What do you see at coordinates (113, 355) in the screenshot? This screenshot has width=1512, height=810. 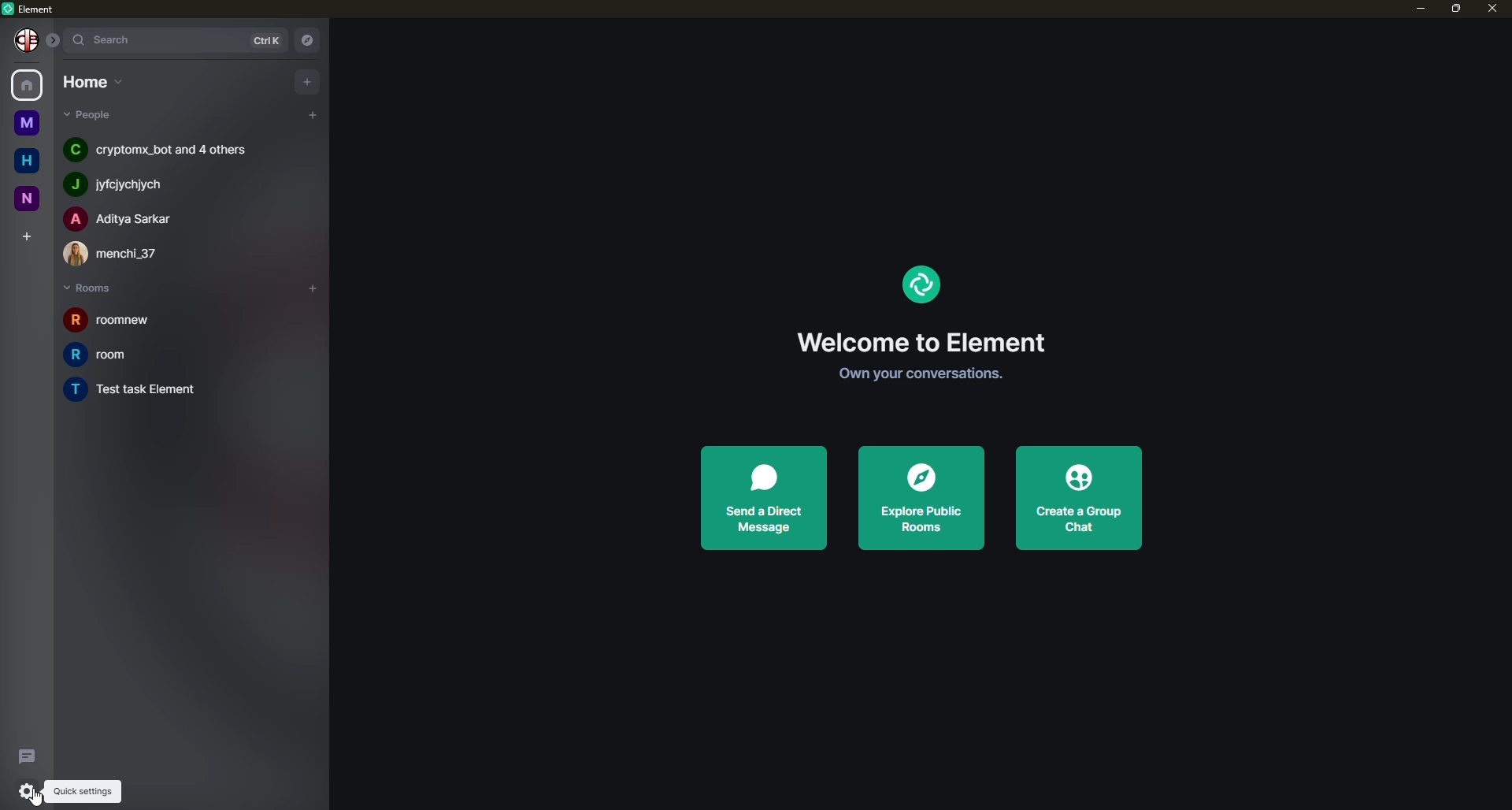 I see `room` at bounding box center [113, 355].